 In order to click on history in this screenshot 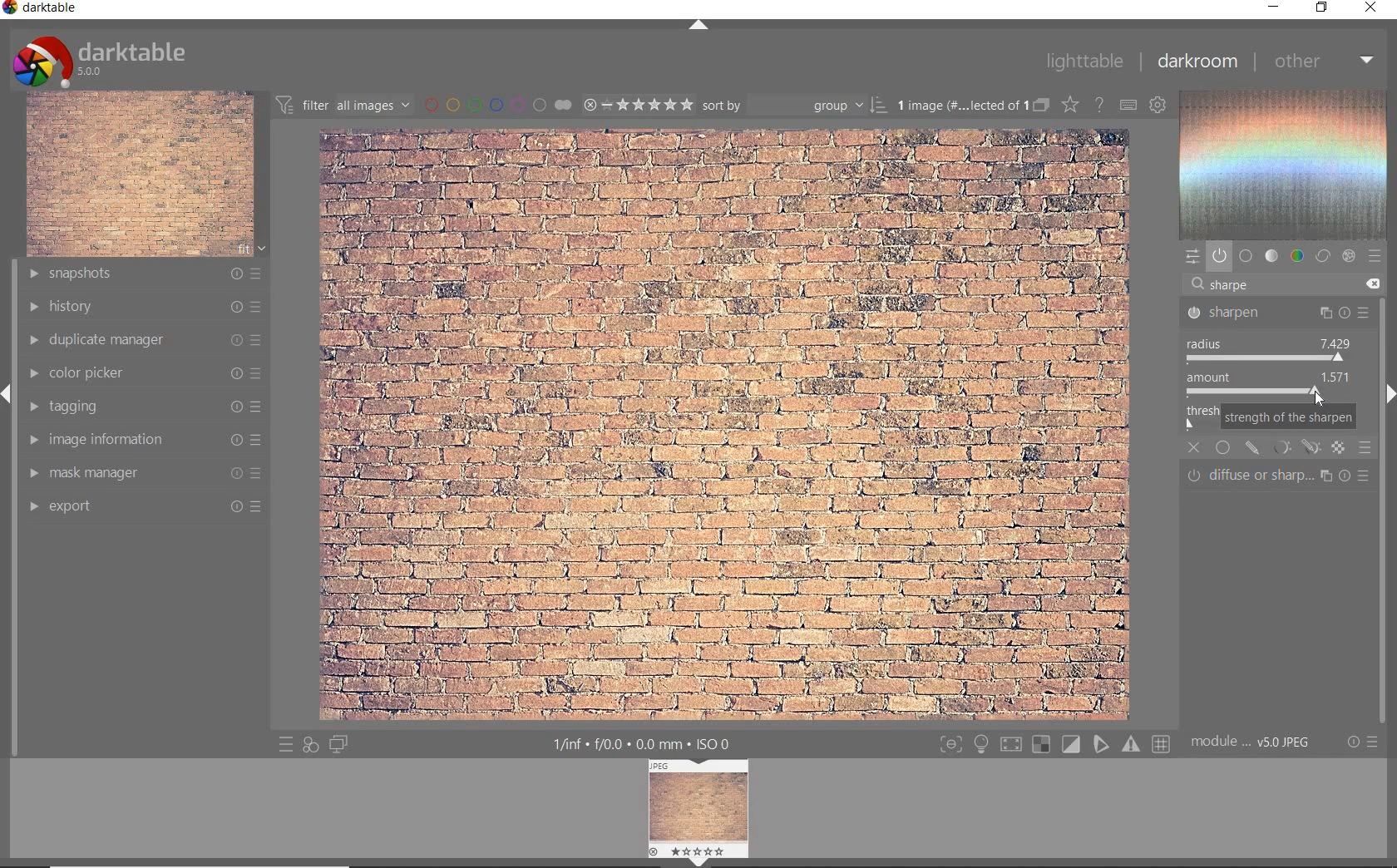, I will do `click(147, 307)`.